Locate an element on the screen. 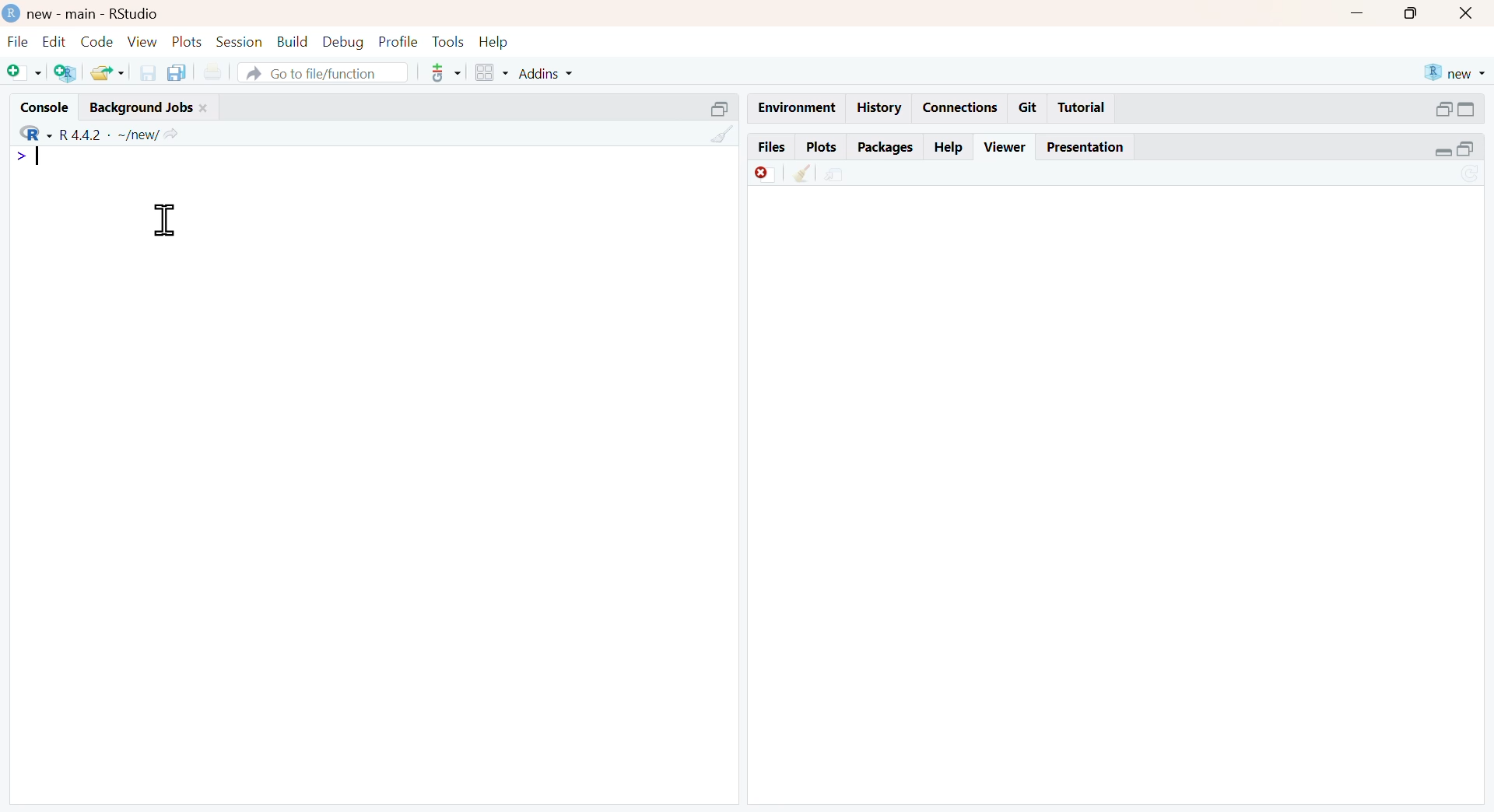  close is located at coordinates (1471, 13).